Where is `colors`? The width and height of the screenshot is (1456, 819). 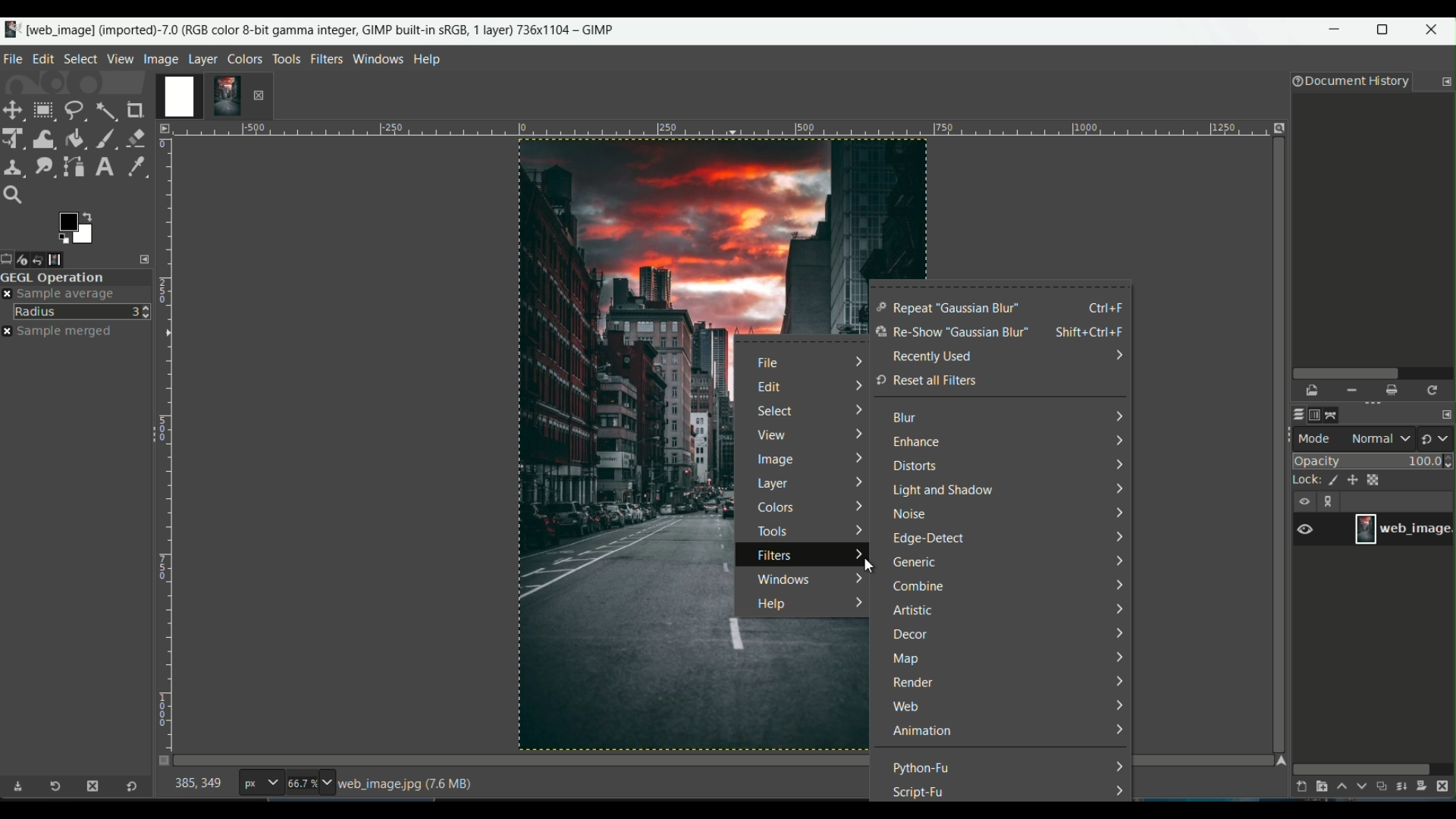 colors is located at coordinates (781, 508).